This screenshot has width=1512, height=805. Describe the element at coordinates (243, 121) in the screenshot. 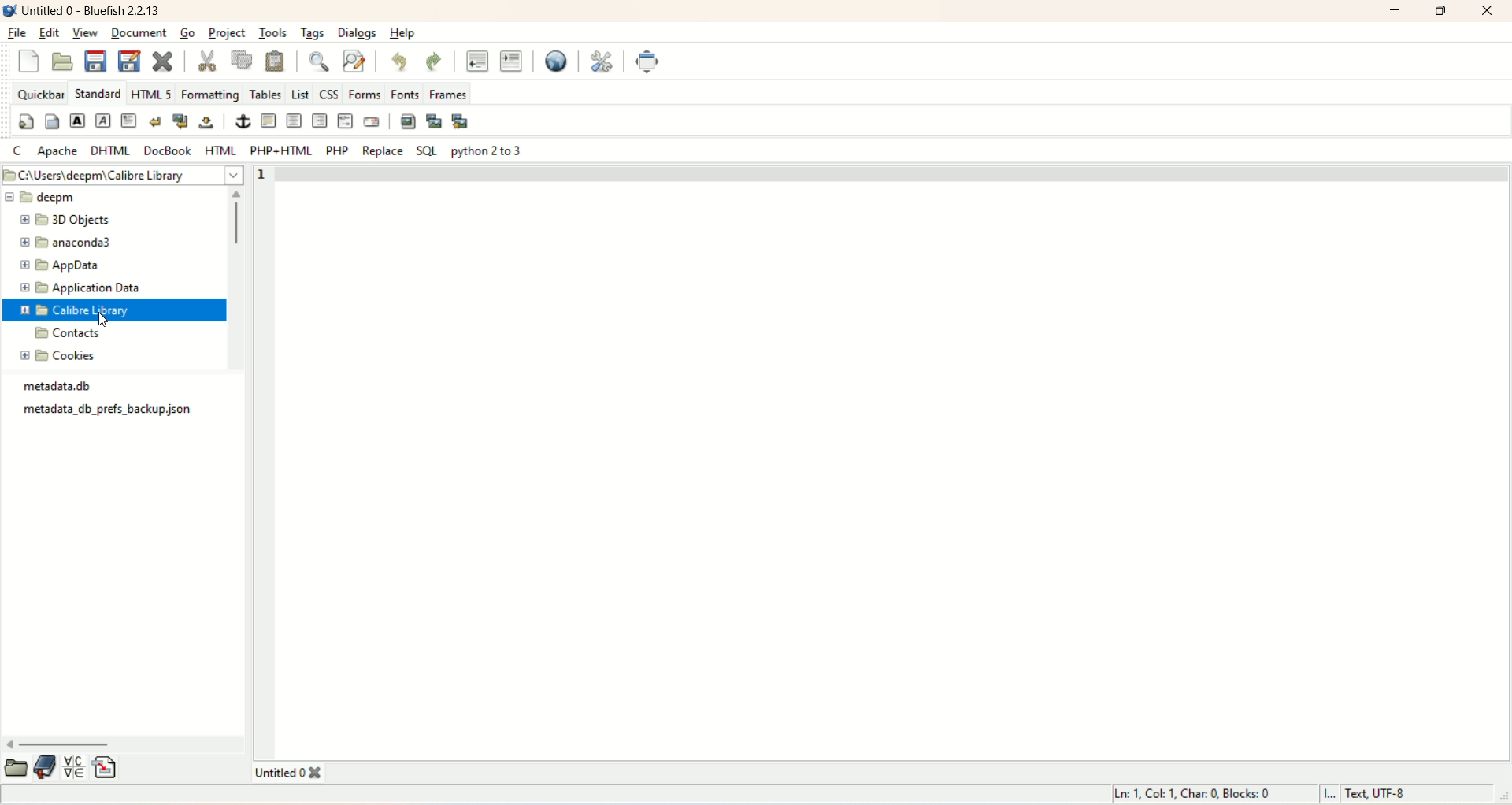

I see `anchor/hyperlink` at that location.